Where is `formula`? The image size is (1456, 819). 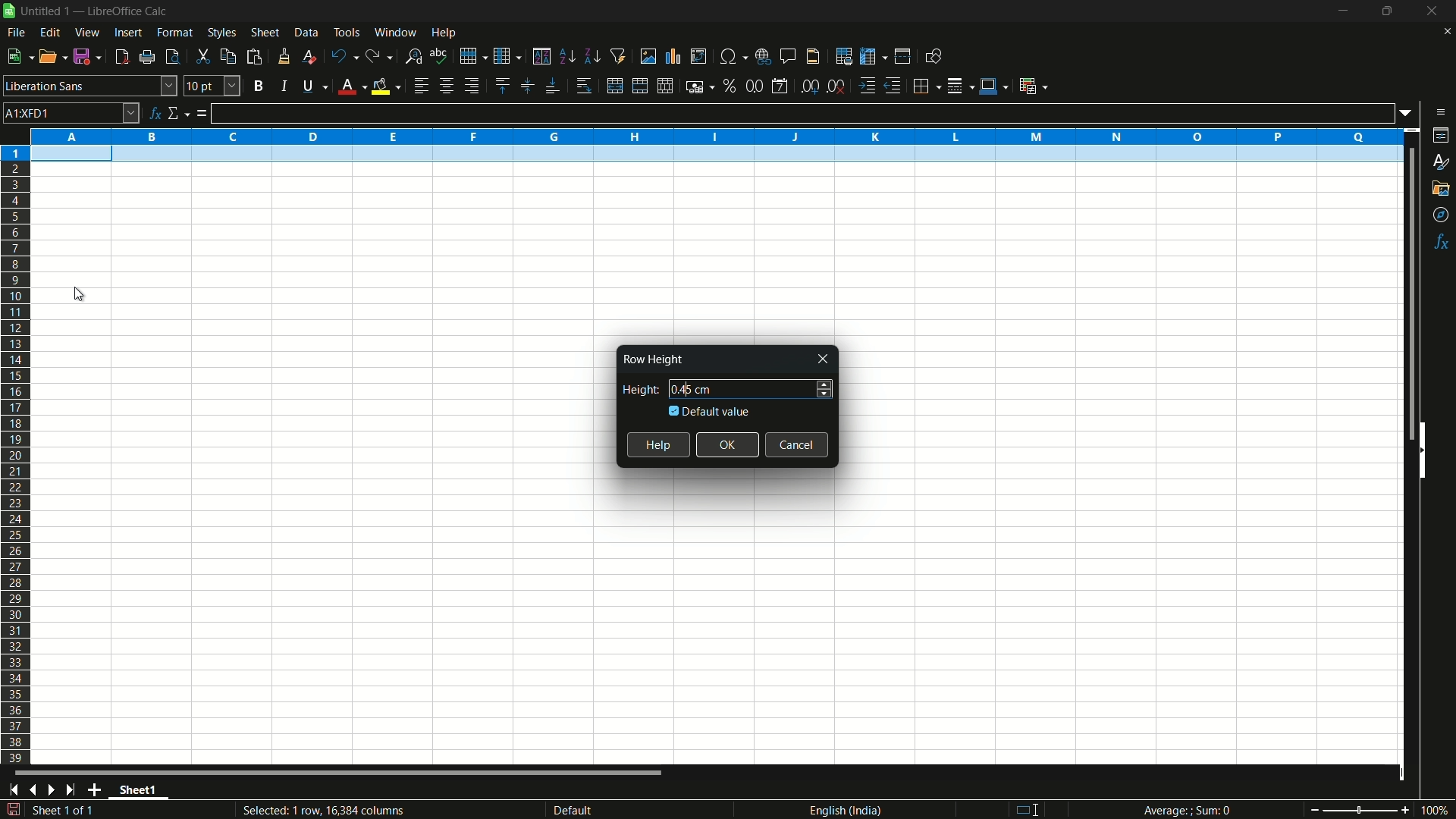
formula is located at coordinates (202, 115).